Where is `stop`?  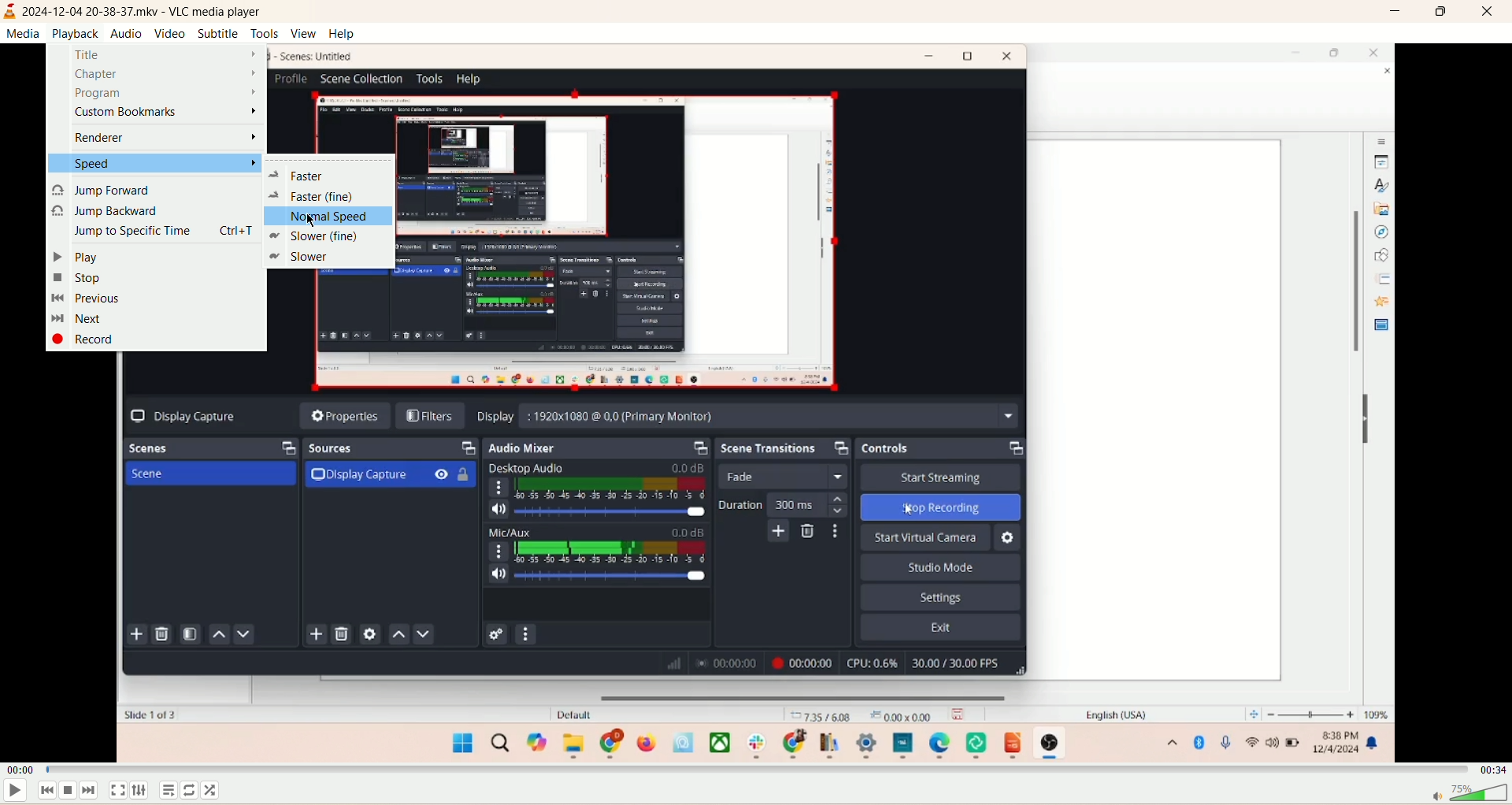
stop is located at coordinates (76, 278).